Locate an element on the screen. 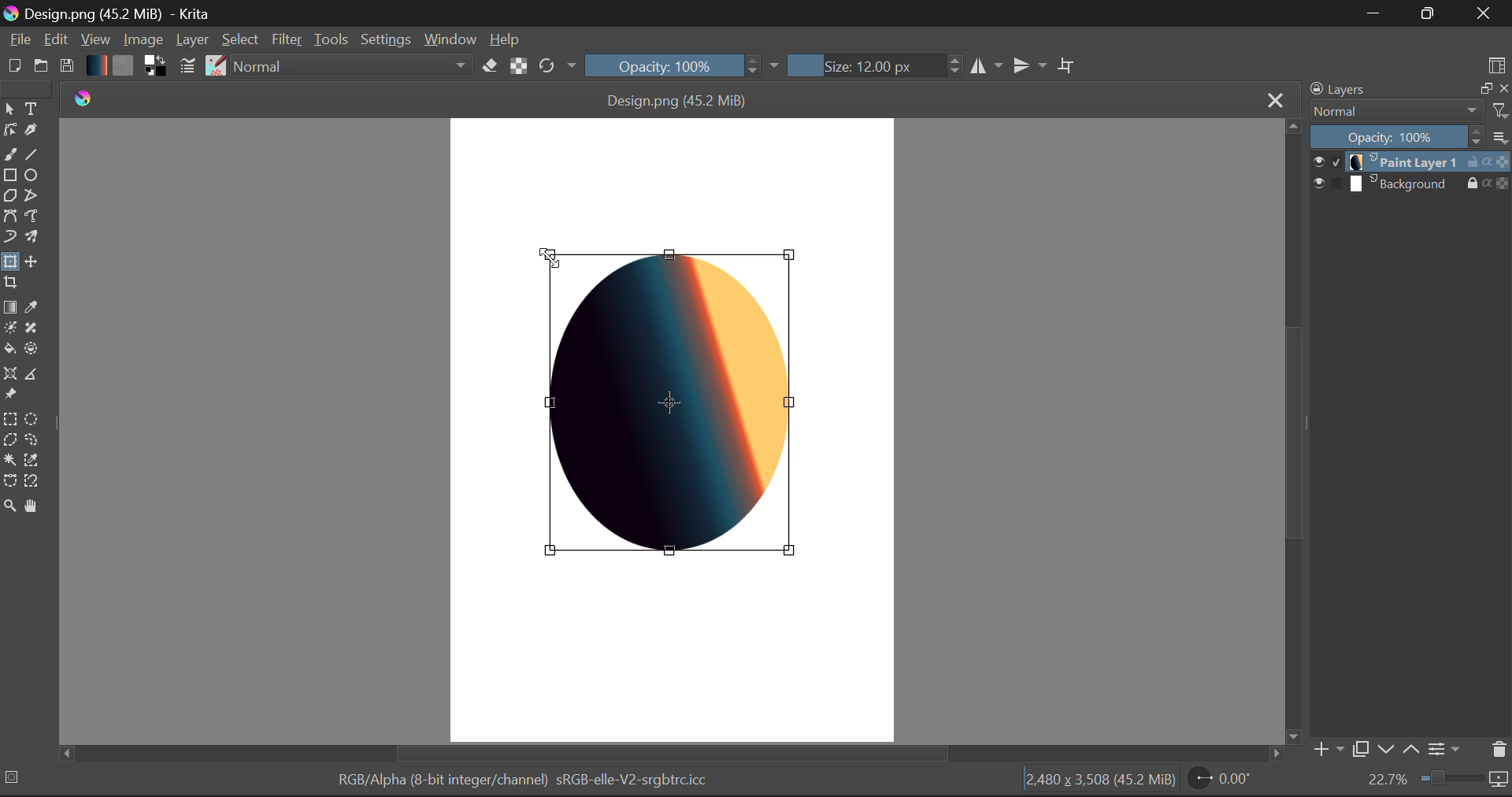  Choose Workspace is located at coordinates (1497, 62).